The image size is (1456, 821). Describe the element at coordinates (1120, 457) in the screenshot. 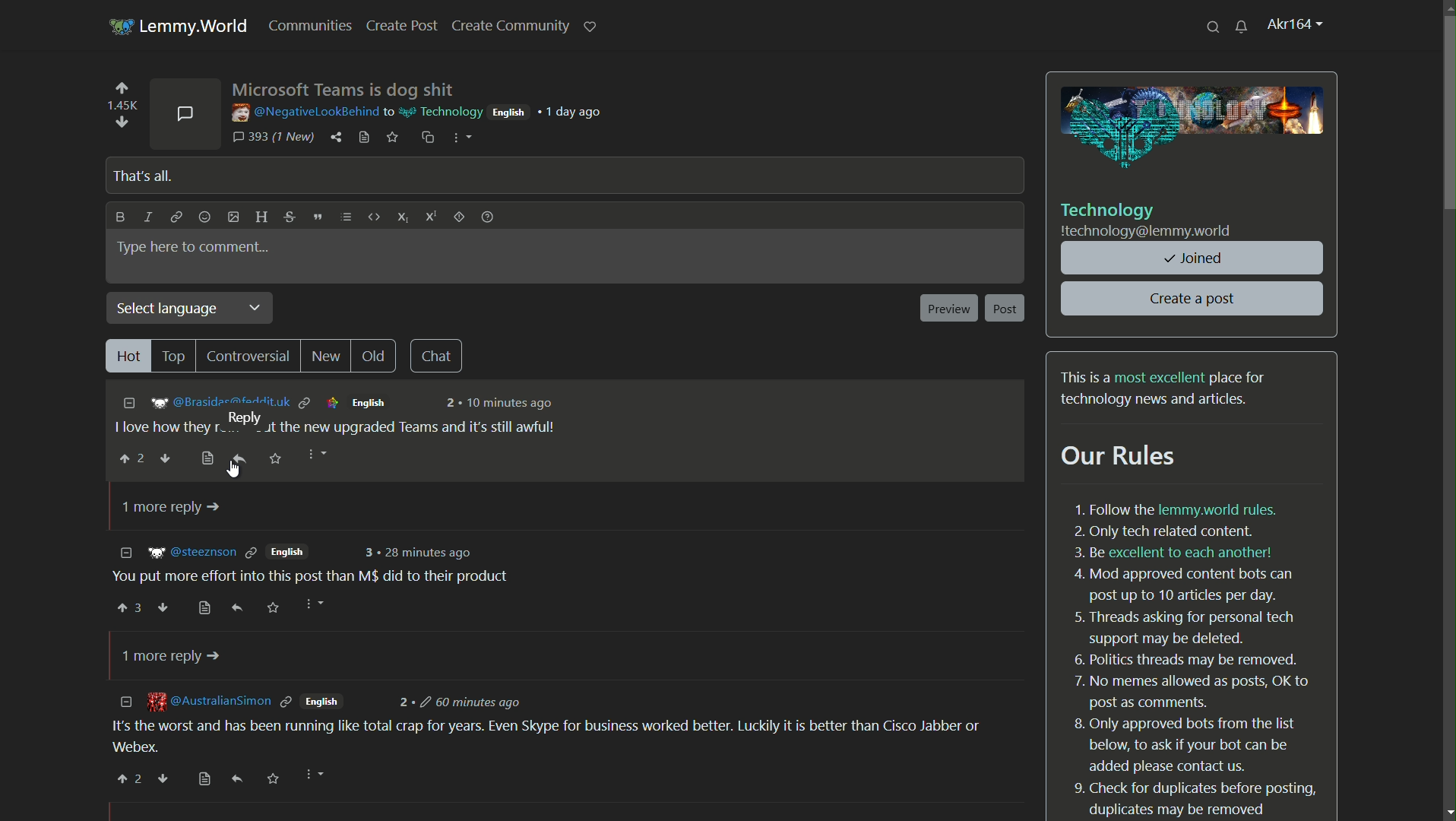

I see `our rules` at that location.